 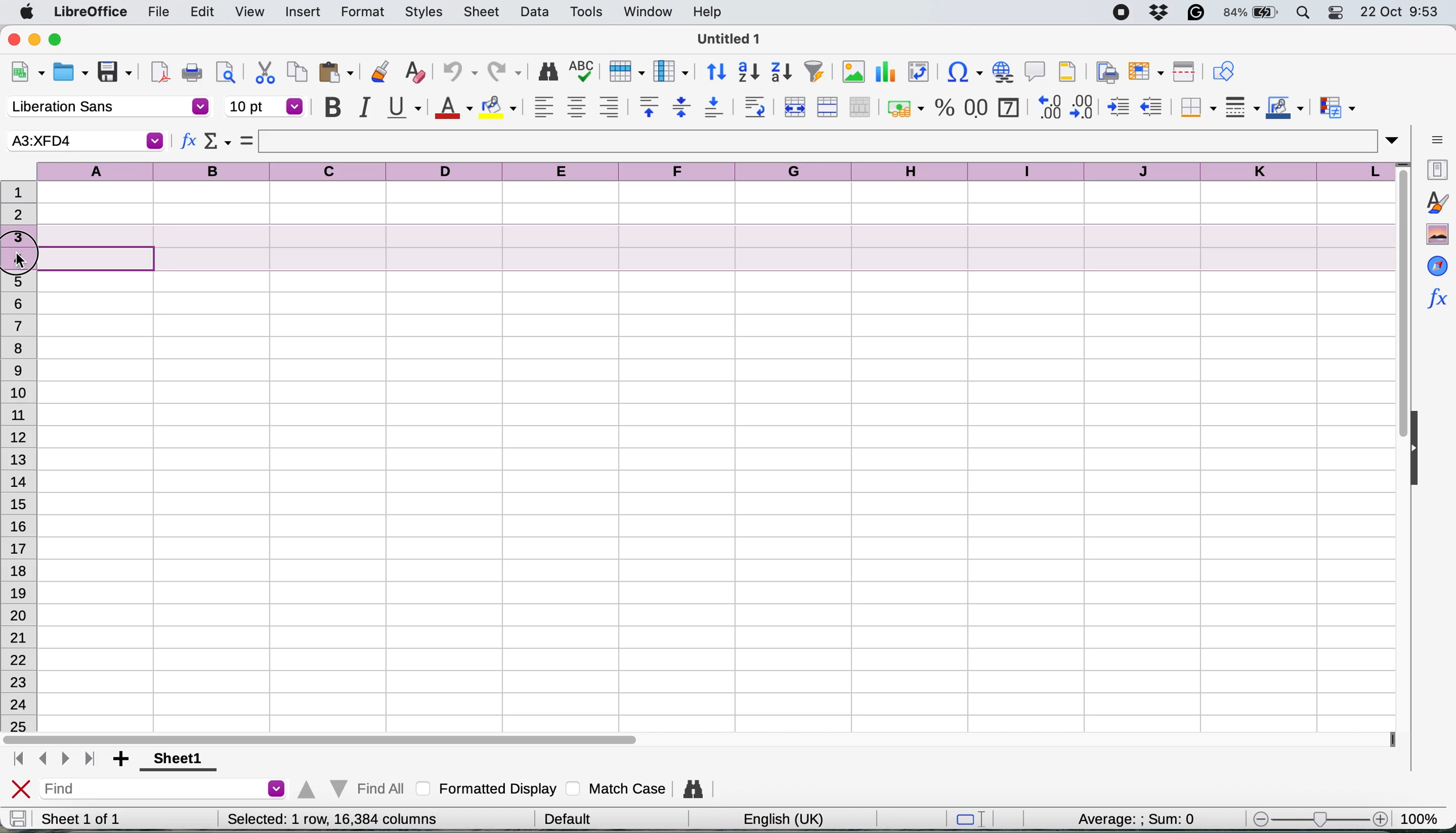 What do you see at coordinates (21, 790) in the screenshot?
I see `close` at bounding box center [21, 790].